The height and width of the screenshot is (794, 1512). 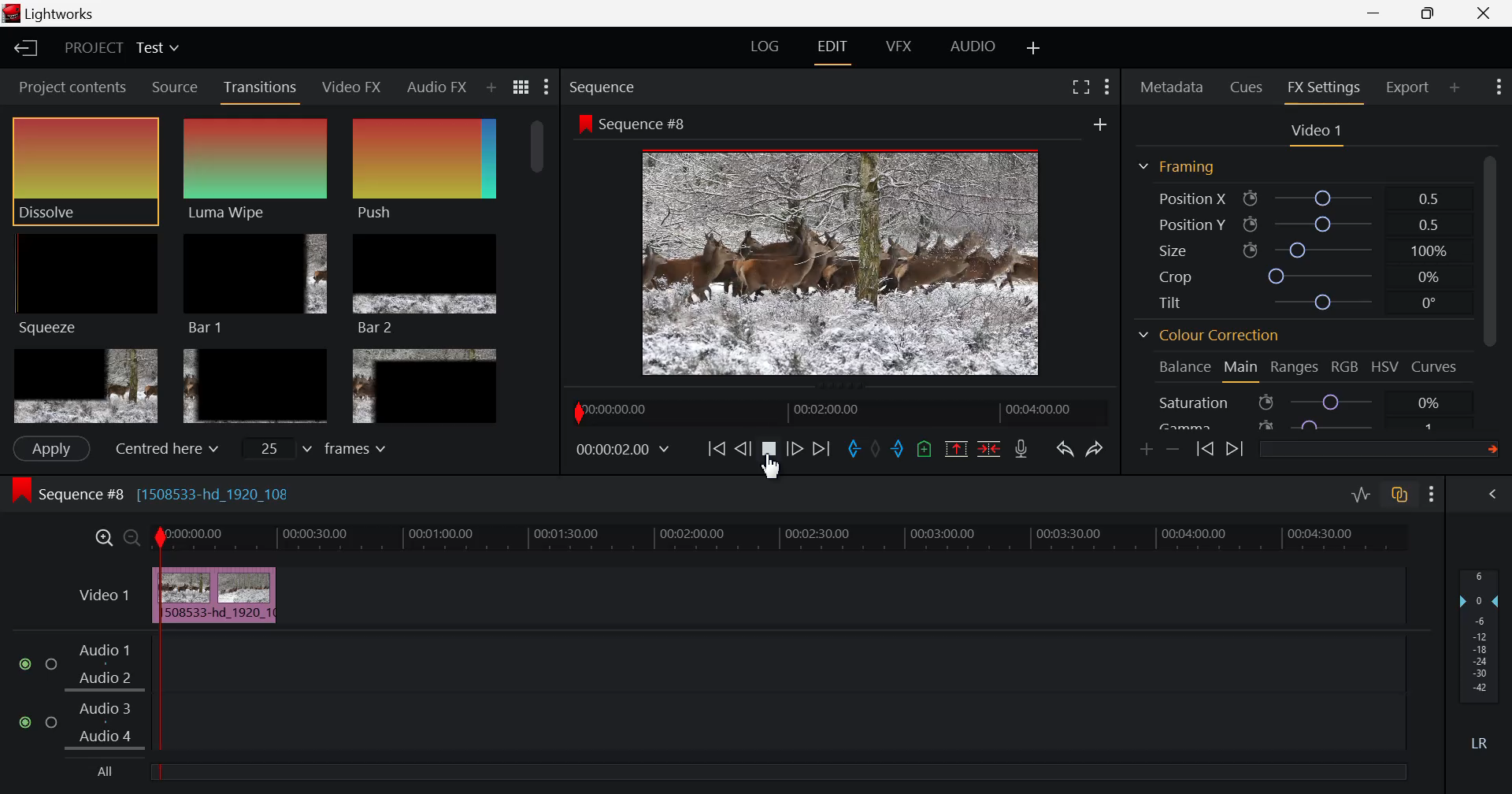 What do you see at coordinates (1495, 495) in the screenshot?
I see `View Audio Mix` at bounding box center [1495, 495].